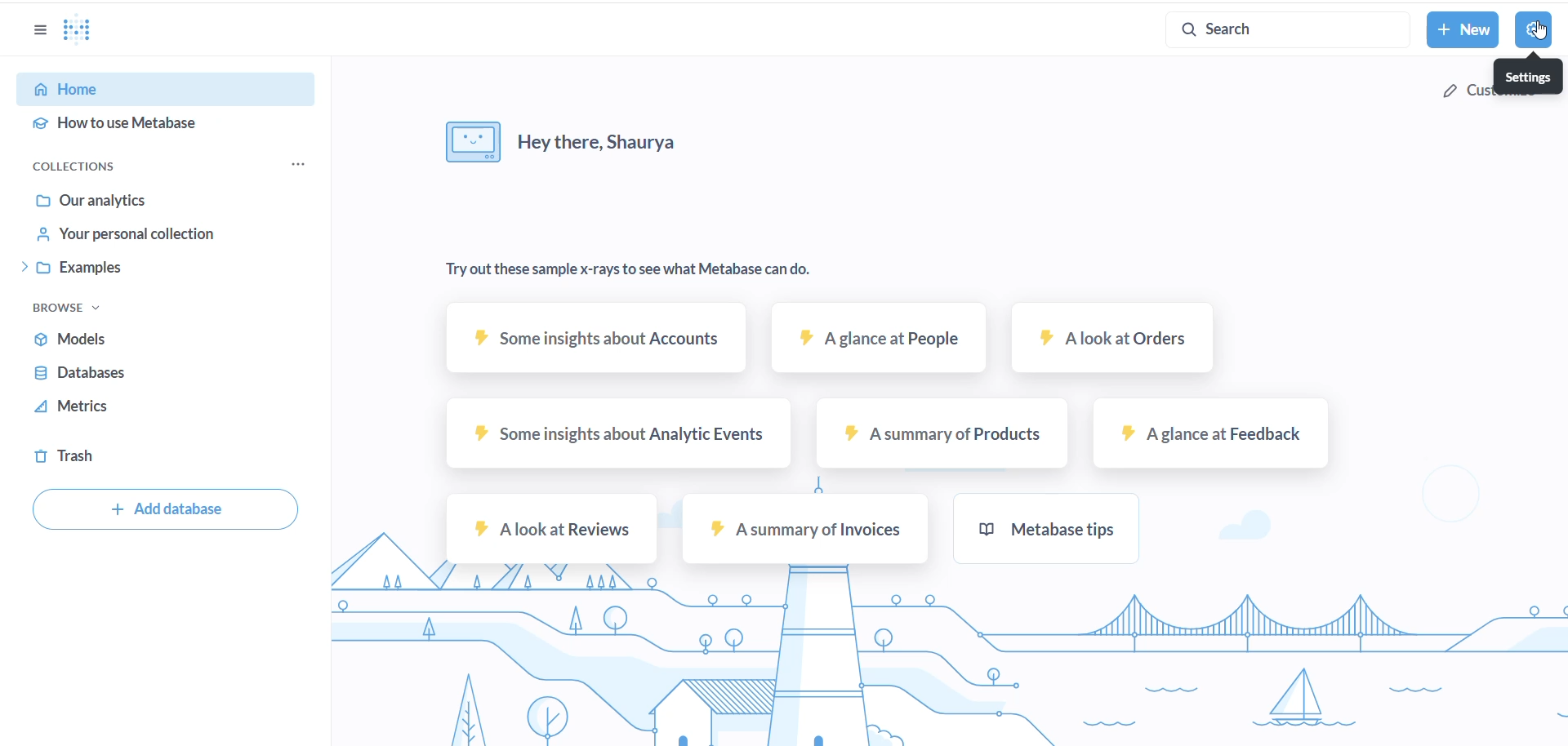  What do you see at coordinates (169, 121) in the screenshot?
I see `how to use metabase` at bounding box center [169, 121].